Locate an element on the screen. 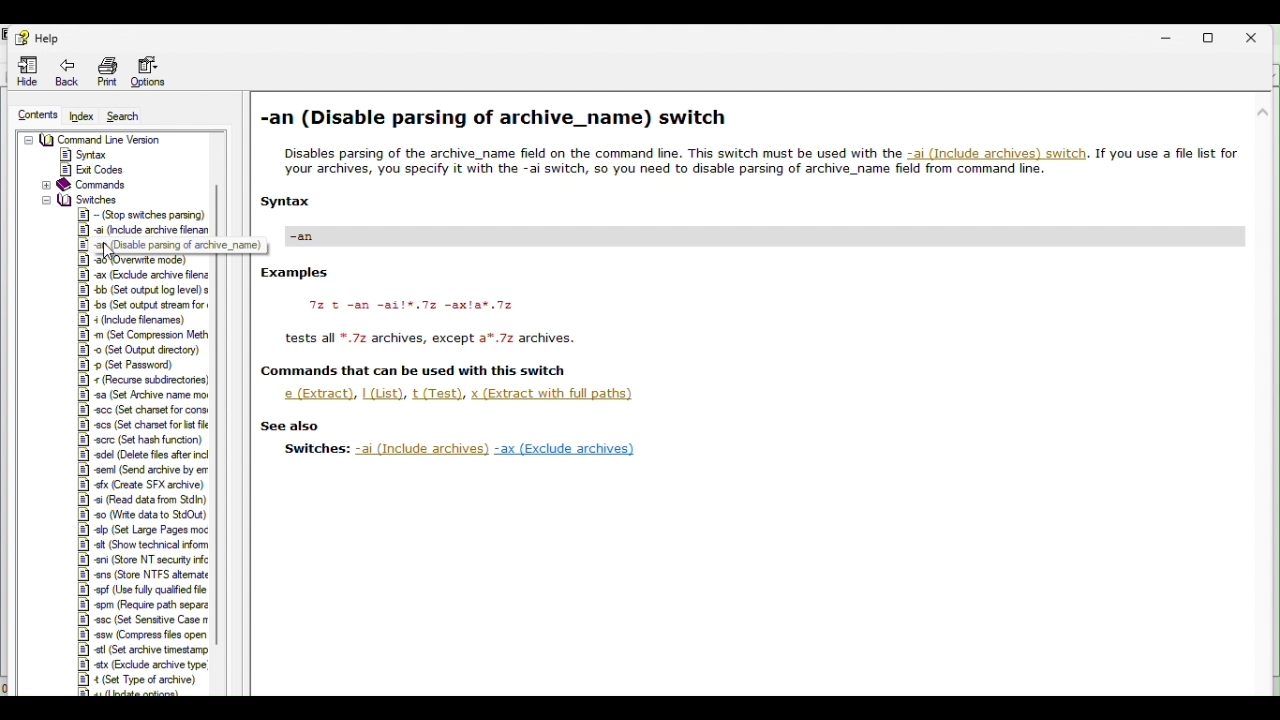  overwrte mode) is located at coordinates (137, 261).